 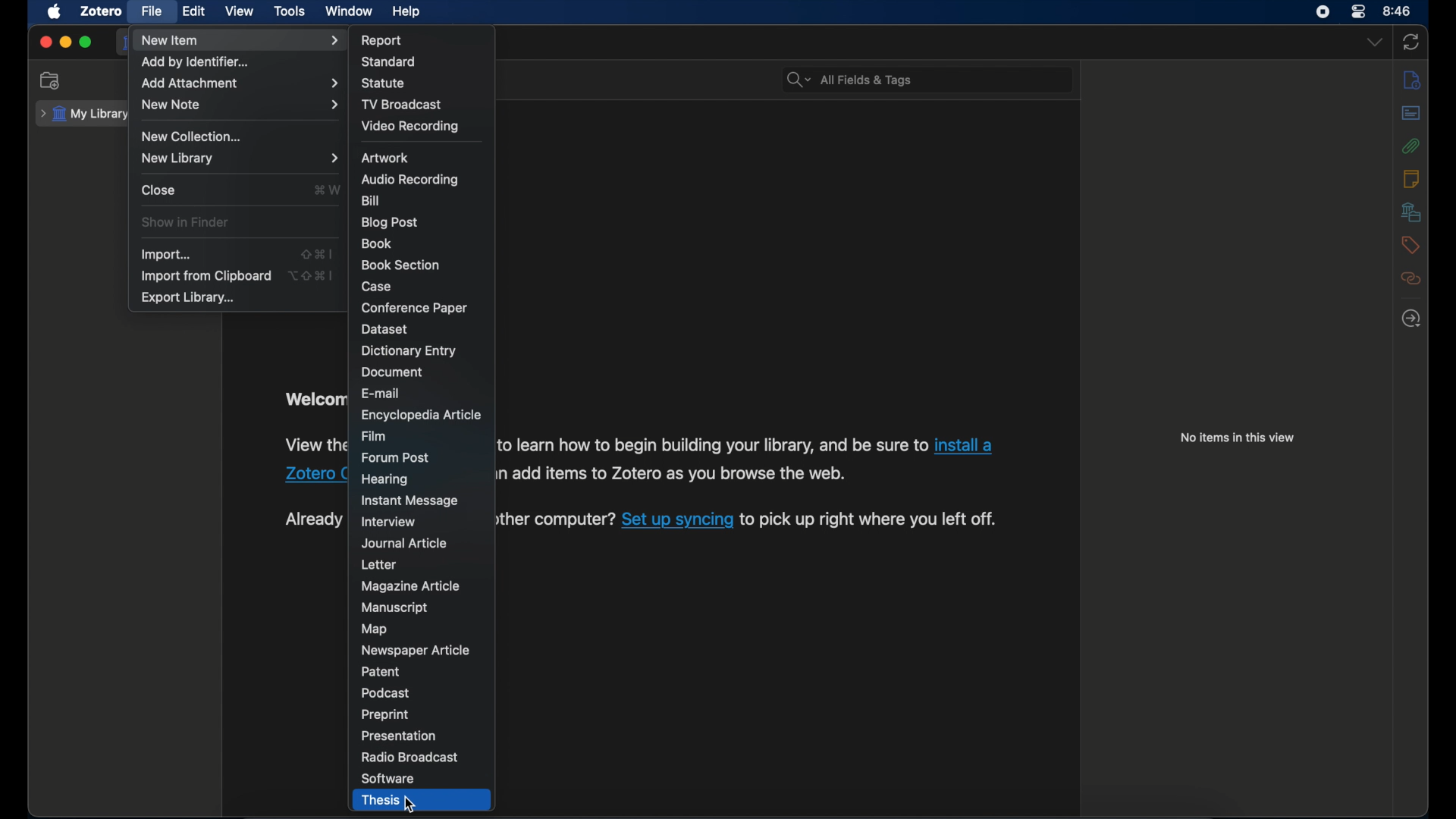 What do you see at coordinates (377, 244) in the screenshot?
I see `book` at bounding box center [377, 244].